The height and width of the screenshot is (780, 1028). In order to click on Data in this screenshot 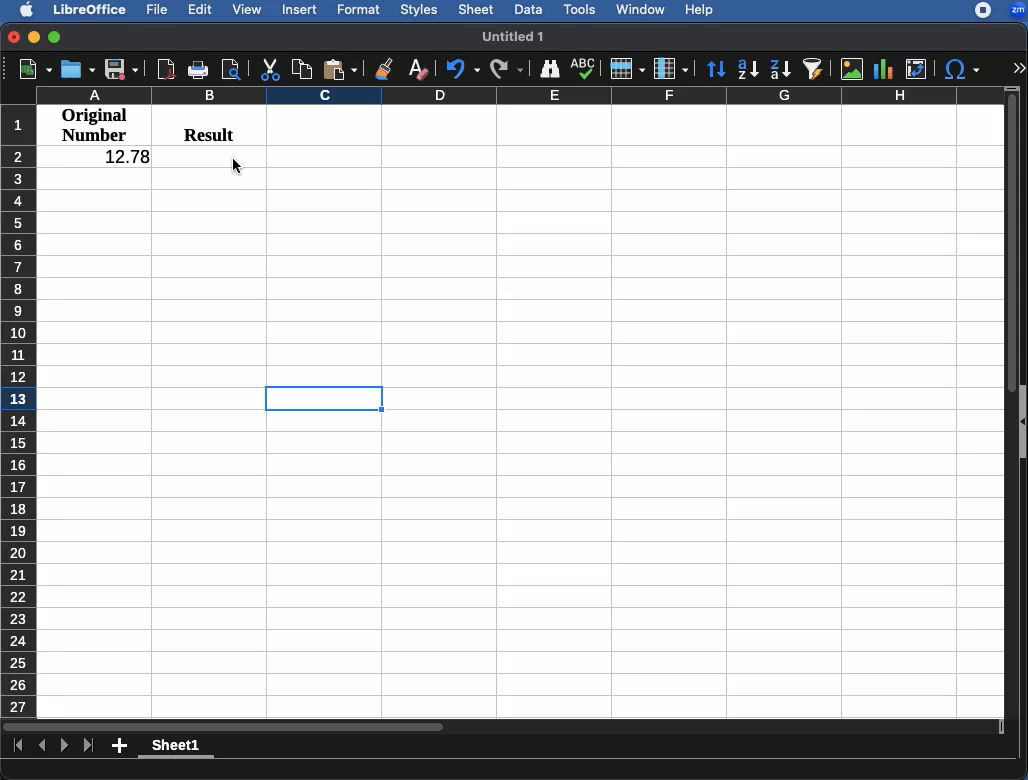, I will do `click(527, 8)`.